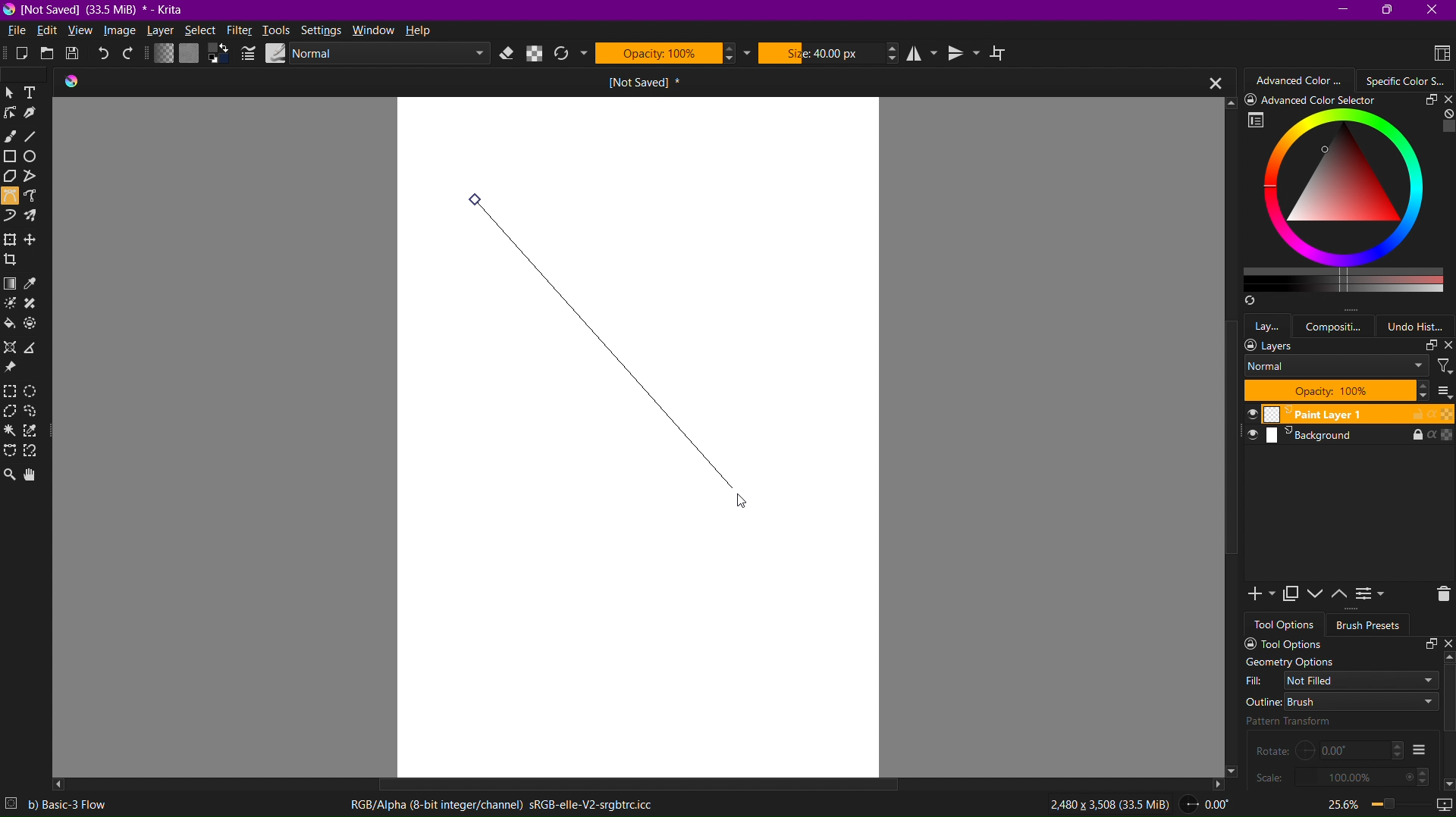 Image resolution: width=1456 pixels, height=817 pixels. I want to click on Crop the image, so click(13, 260).